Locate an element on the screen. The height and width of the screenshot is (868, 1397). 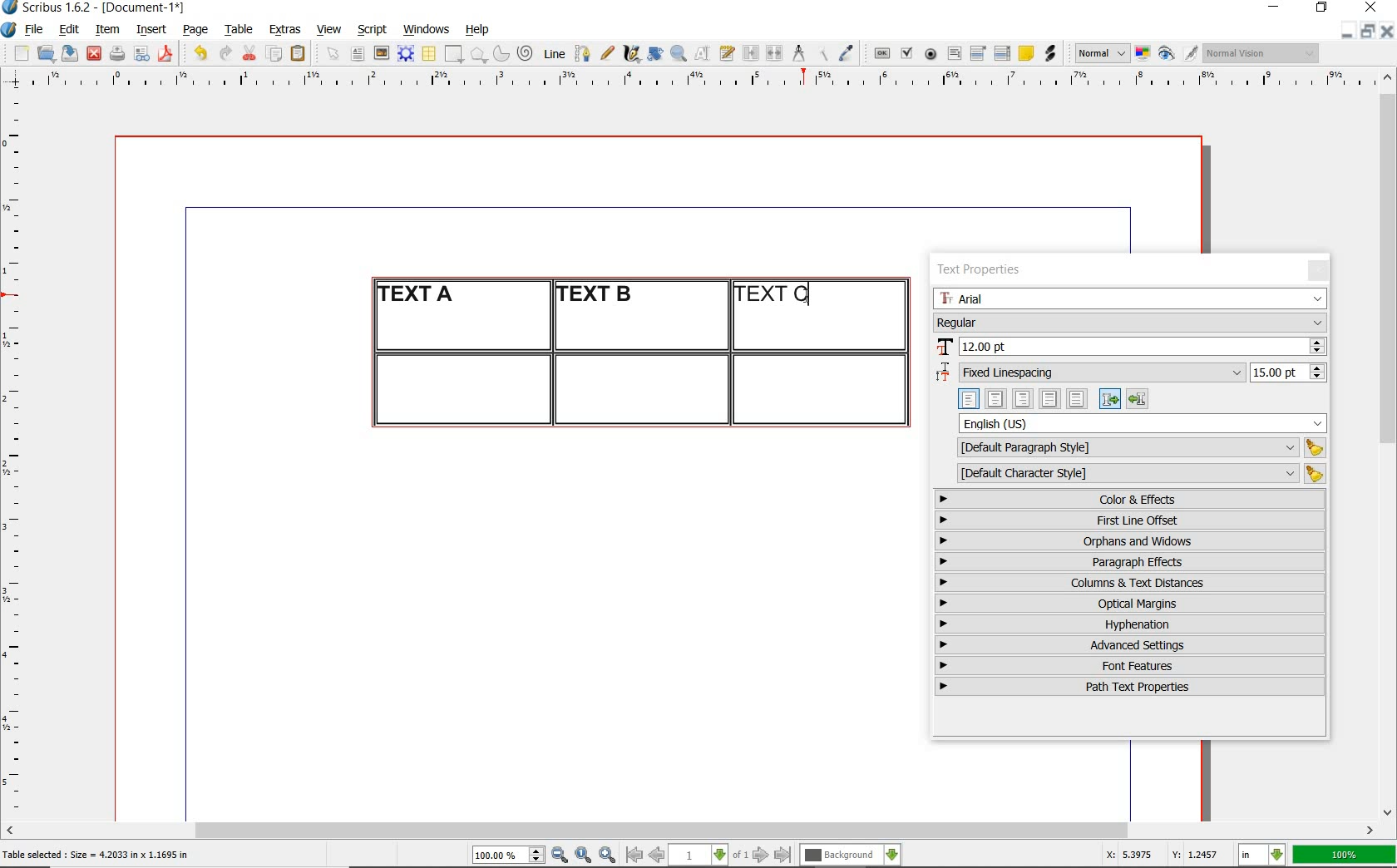
Bezier curve is located at coordinates (581, 53).